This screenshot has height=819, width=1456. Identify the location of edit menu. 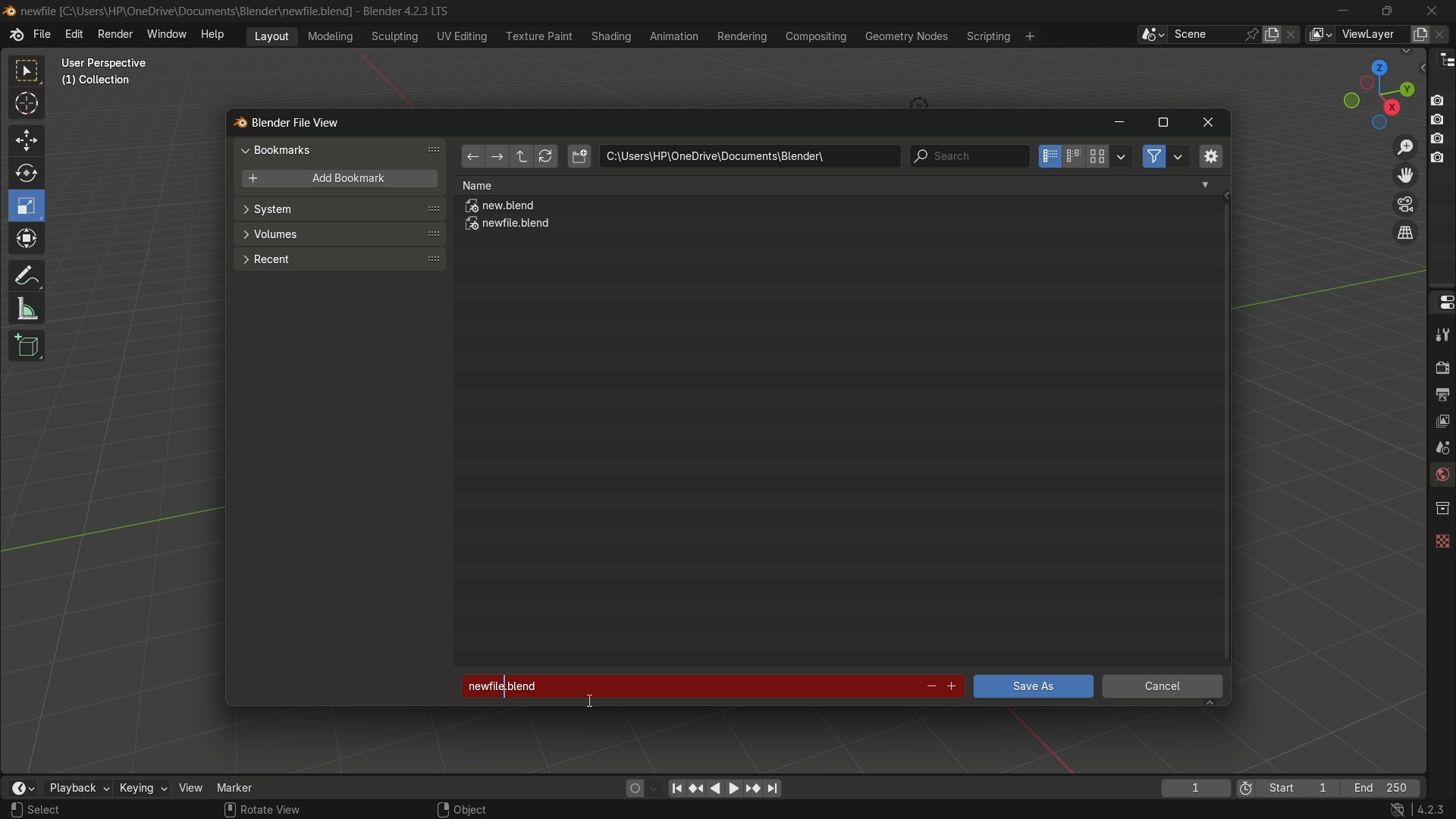
(74, 34).